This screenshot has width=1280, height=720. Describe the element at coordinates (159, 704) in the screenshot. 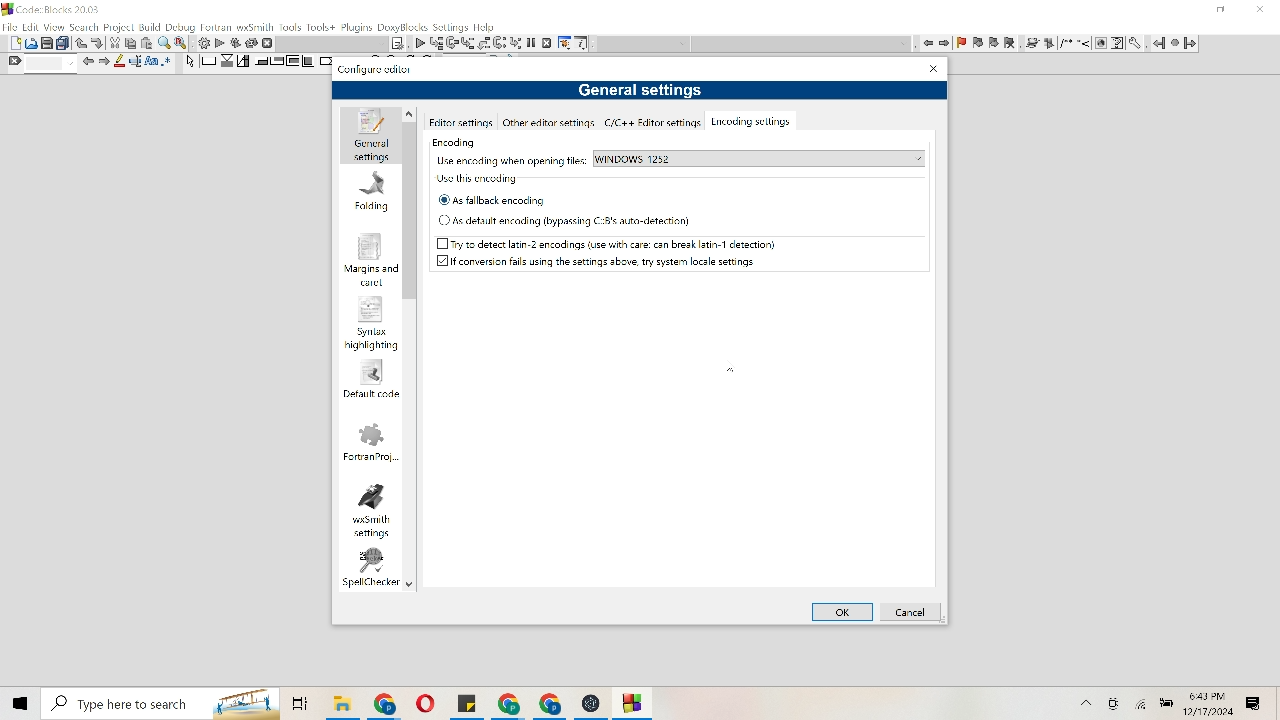

I see `Search bar` at that location.